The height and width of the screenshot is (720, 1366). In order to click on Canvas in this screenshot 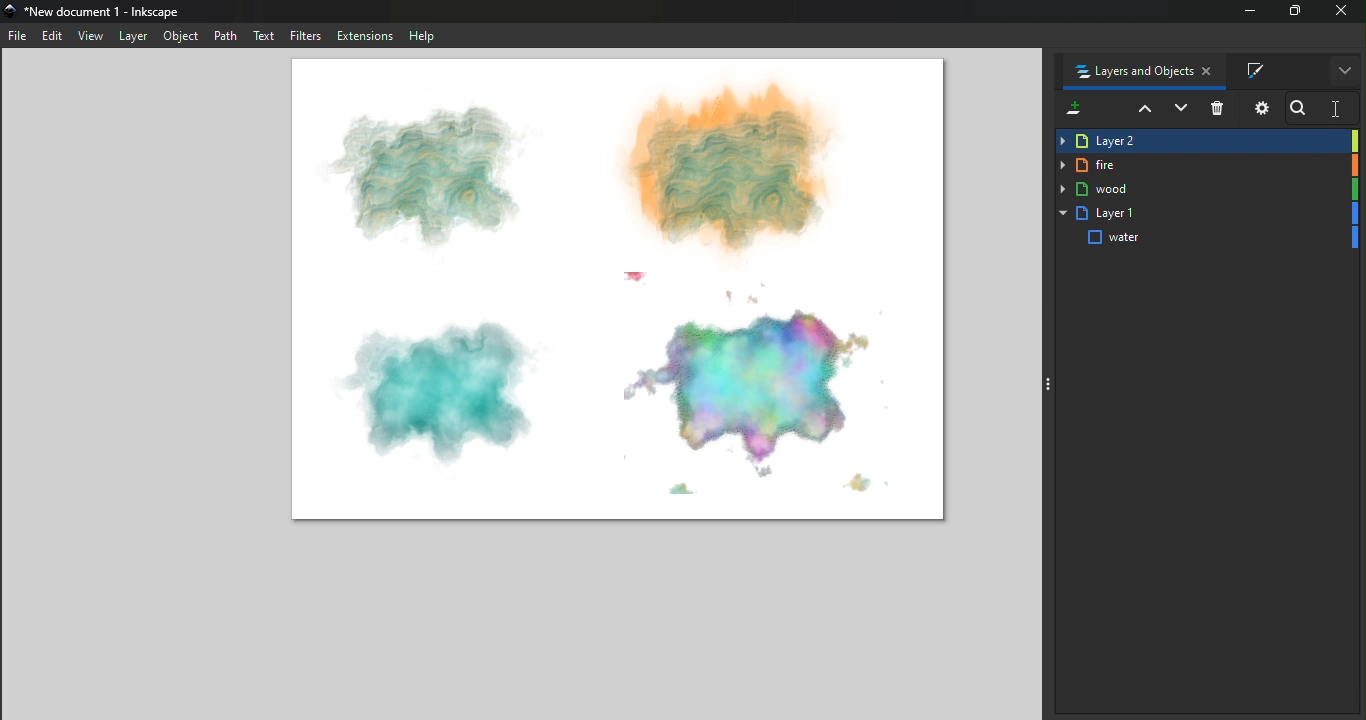, I will do `click(625, 292)`.